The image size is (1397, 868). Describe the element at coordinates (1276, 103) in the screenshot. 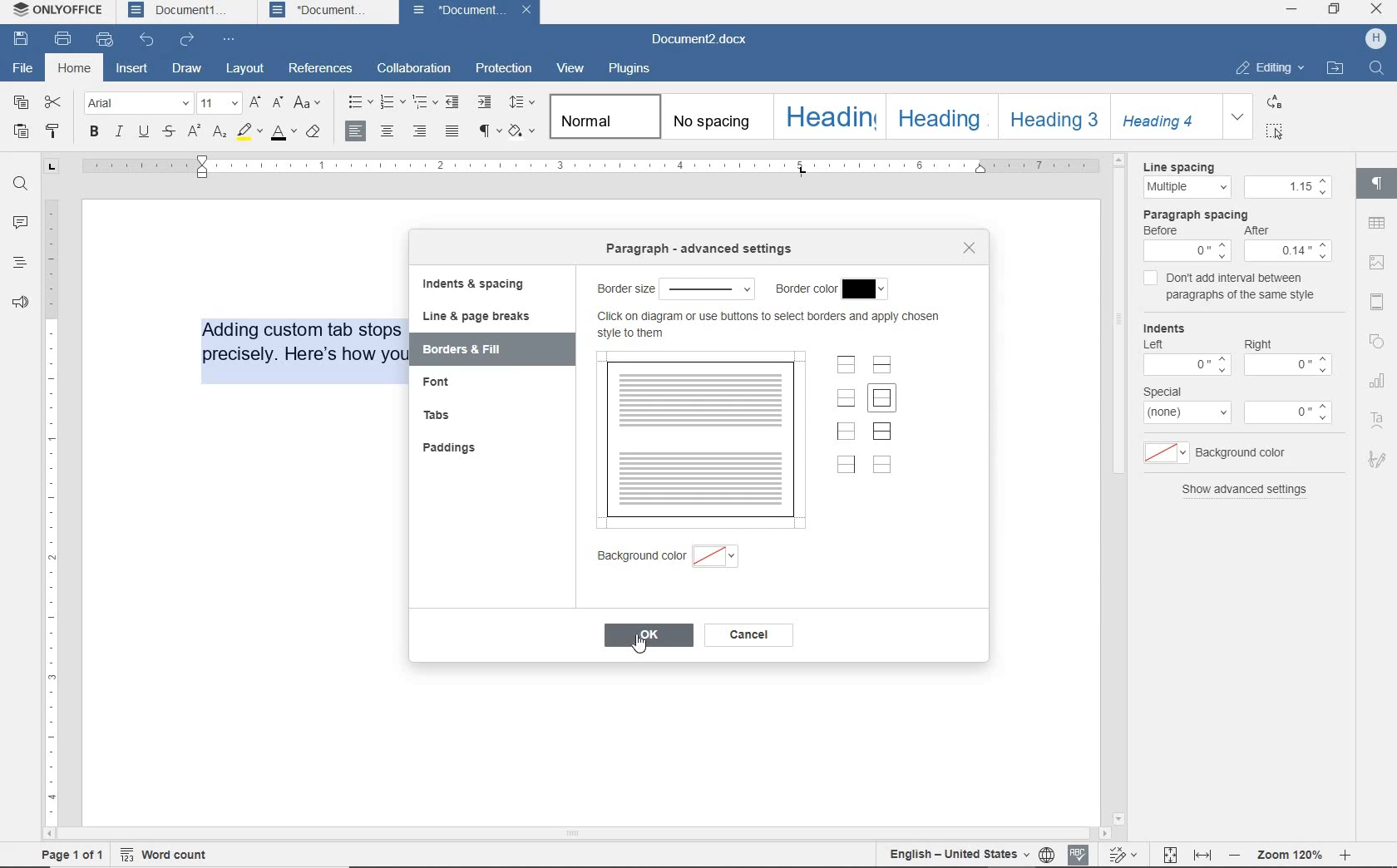

I see `replace` at that location.